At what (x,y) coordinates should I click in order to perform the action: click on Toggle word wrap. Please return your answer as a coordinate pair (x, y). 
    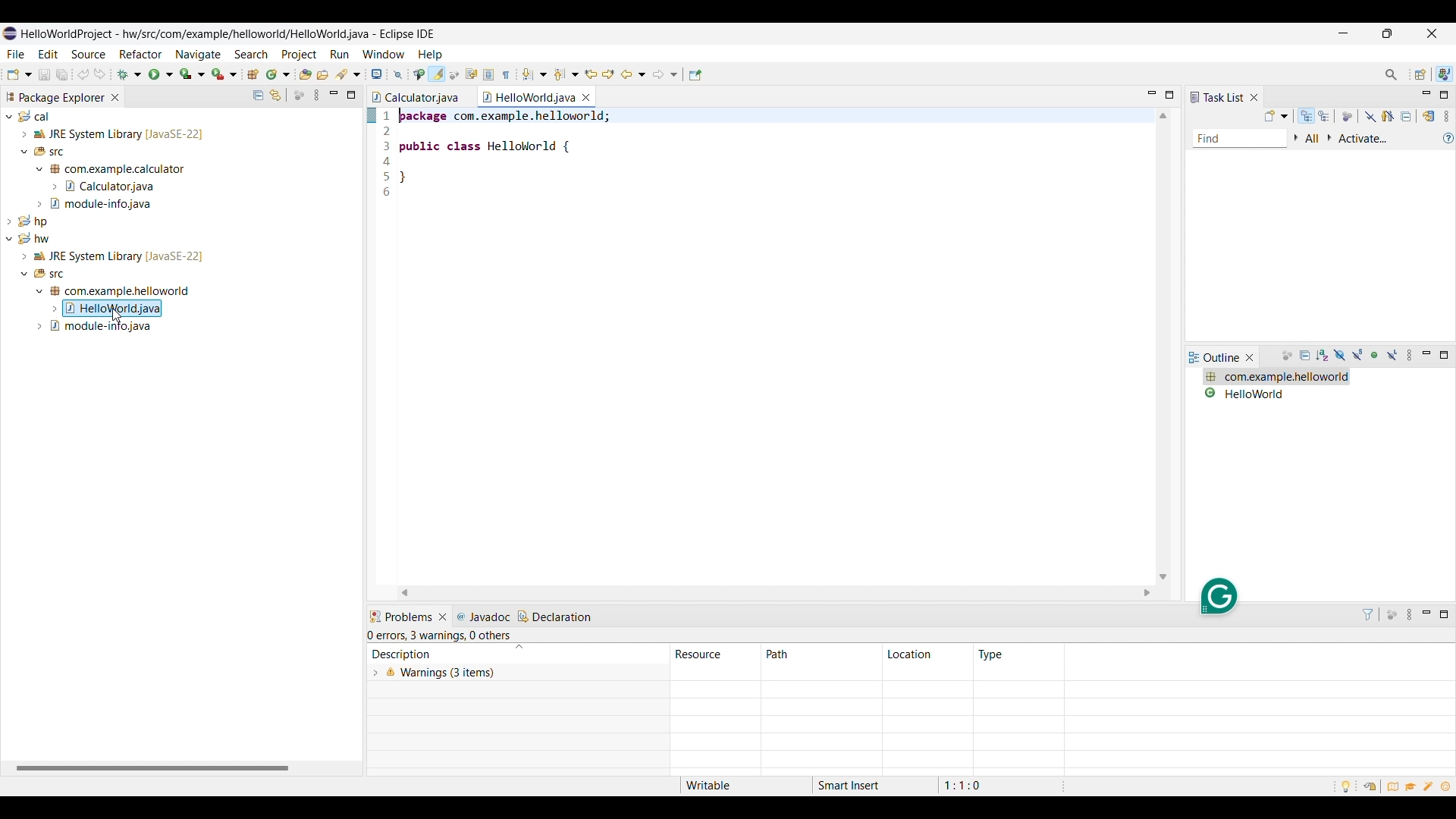
    Looking at the image, I should click on (472, 74).